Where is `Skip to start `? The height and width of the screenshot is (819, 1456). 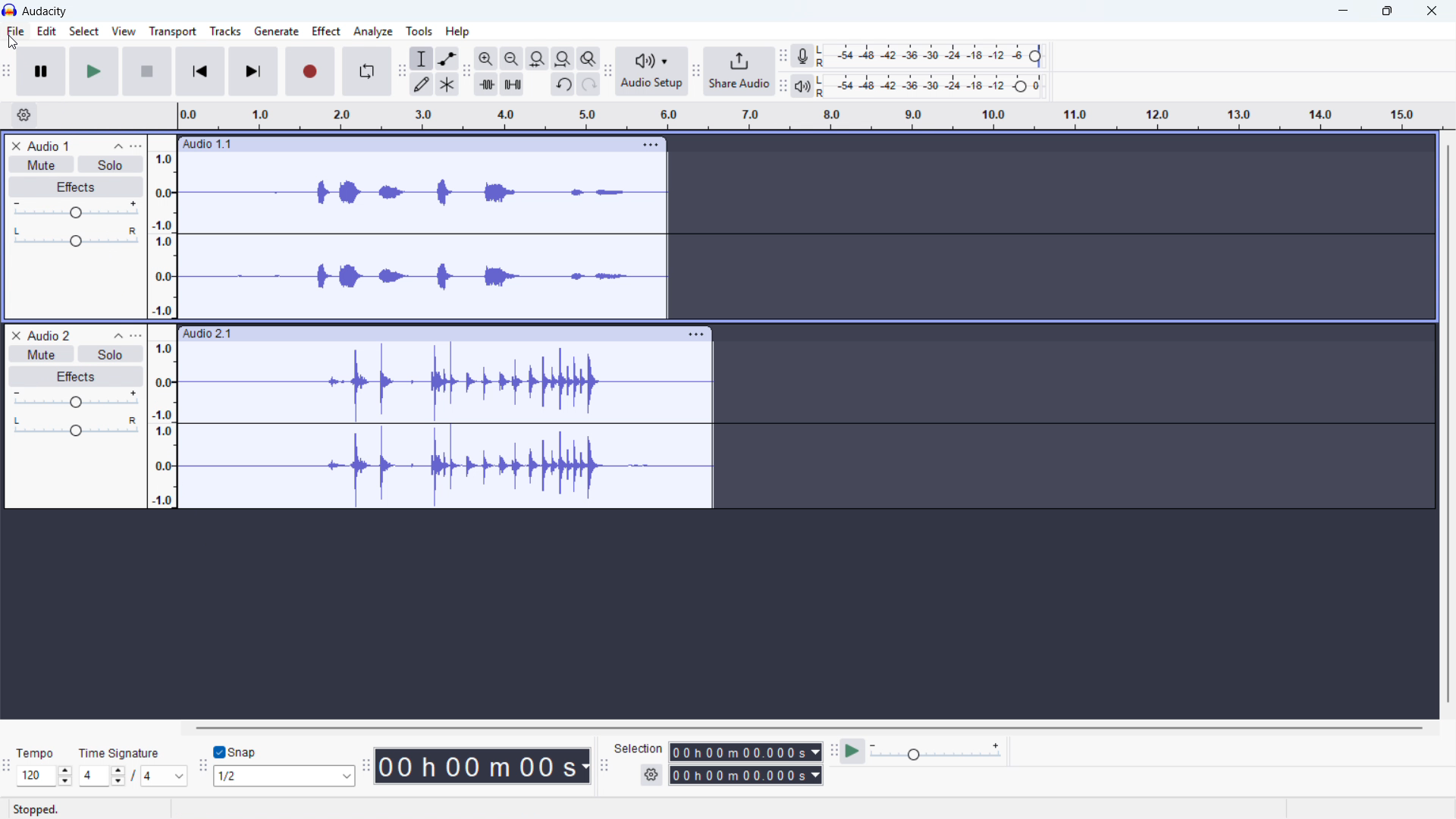 Skip to start  is located at coordinates (199, 72).